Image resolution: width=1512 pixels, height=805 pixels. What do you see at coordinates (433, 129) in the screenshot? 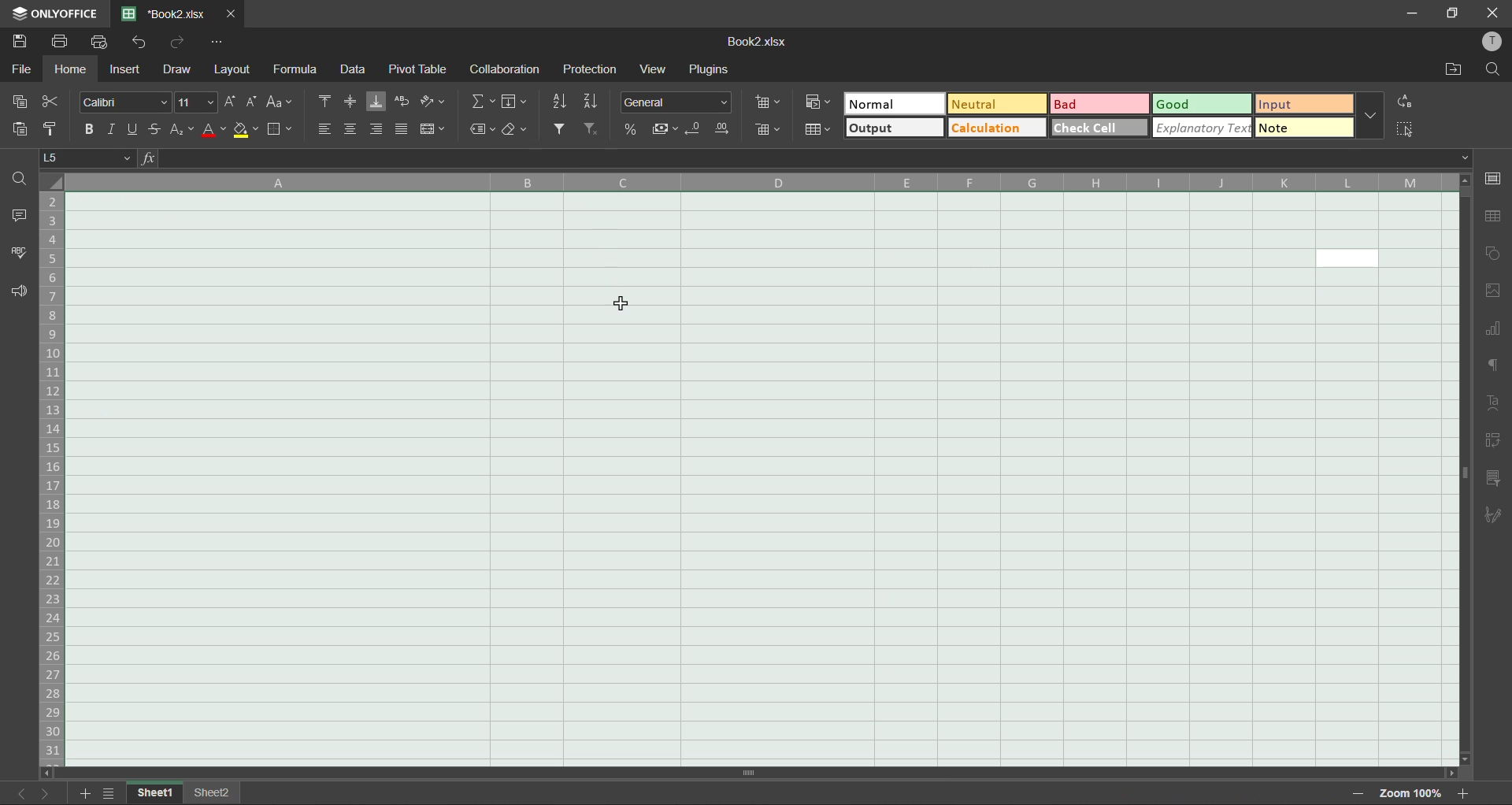
I see `merge and center` at bounding box center [433, 129].